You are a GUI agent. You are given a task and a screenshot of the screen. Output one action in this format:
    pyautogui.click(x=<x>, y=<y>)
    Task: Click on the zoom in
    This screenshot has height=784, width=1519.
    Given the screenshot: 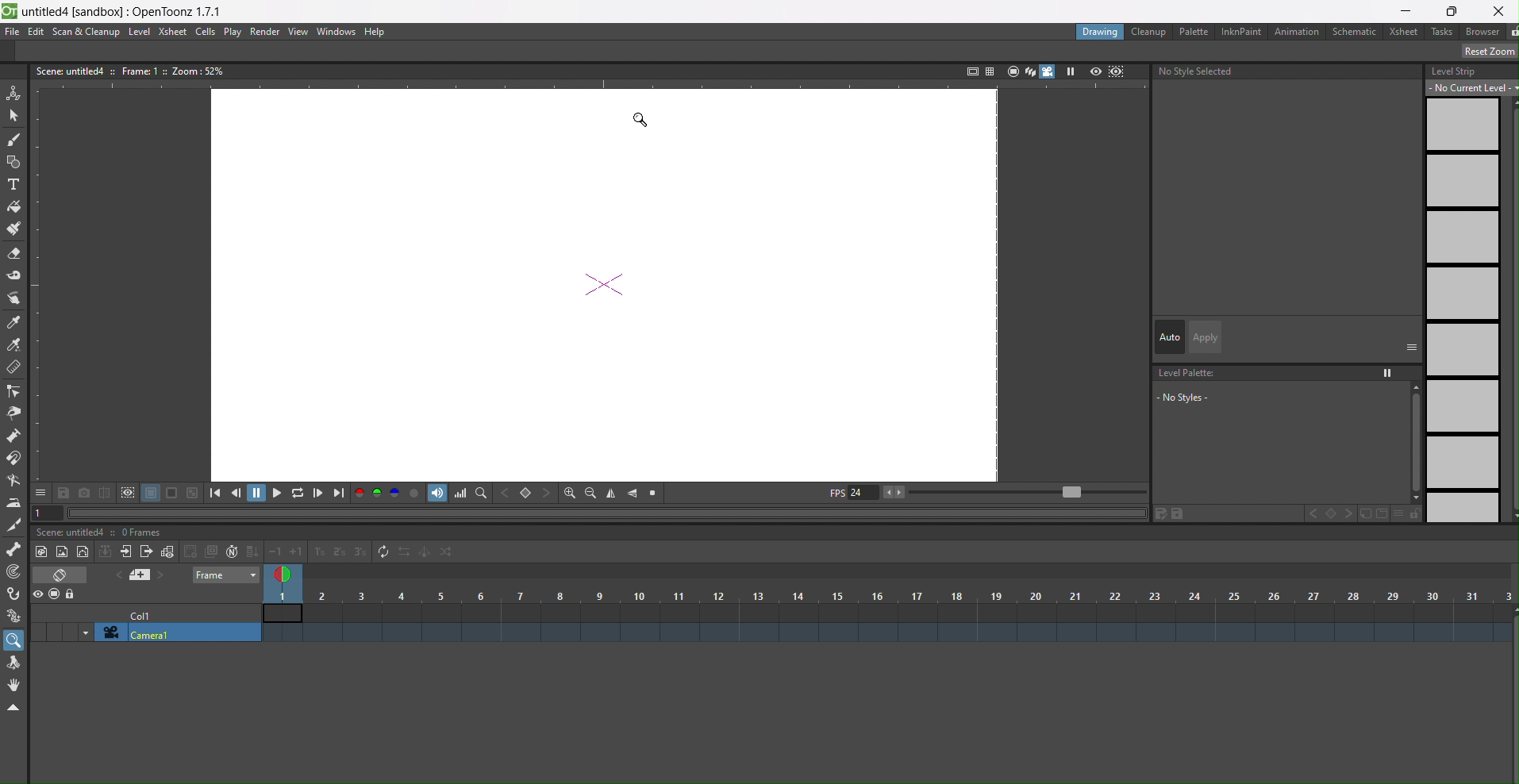 What is the action you would take?
    pyautogui.click(x=565, y=491)
    